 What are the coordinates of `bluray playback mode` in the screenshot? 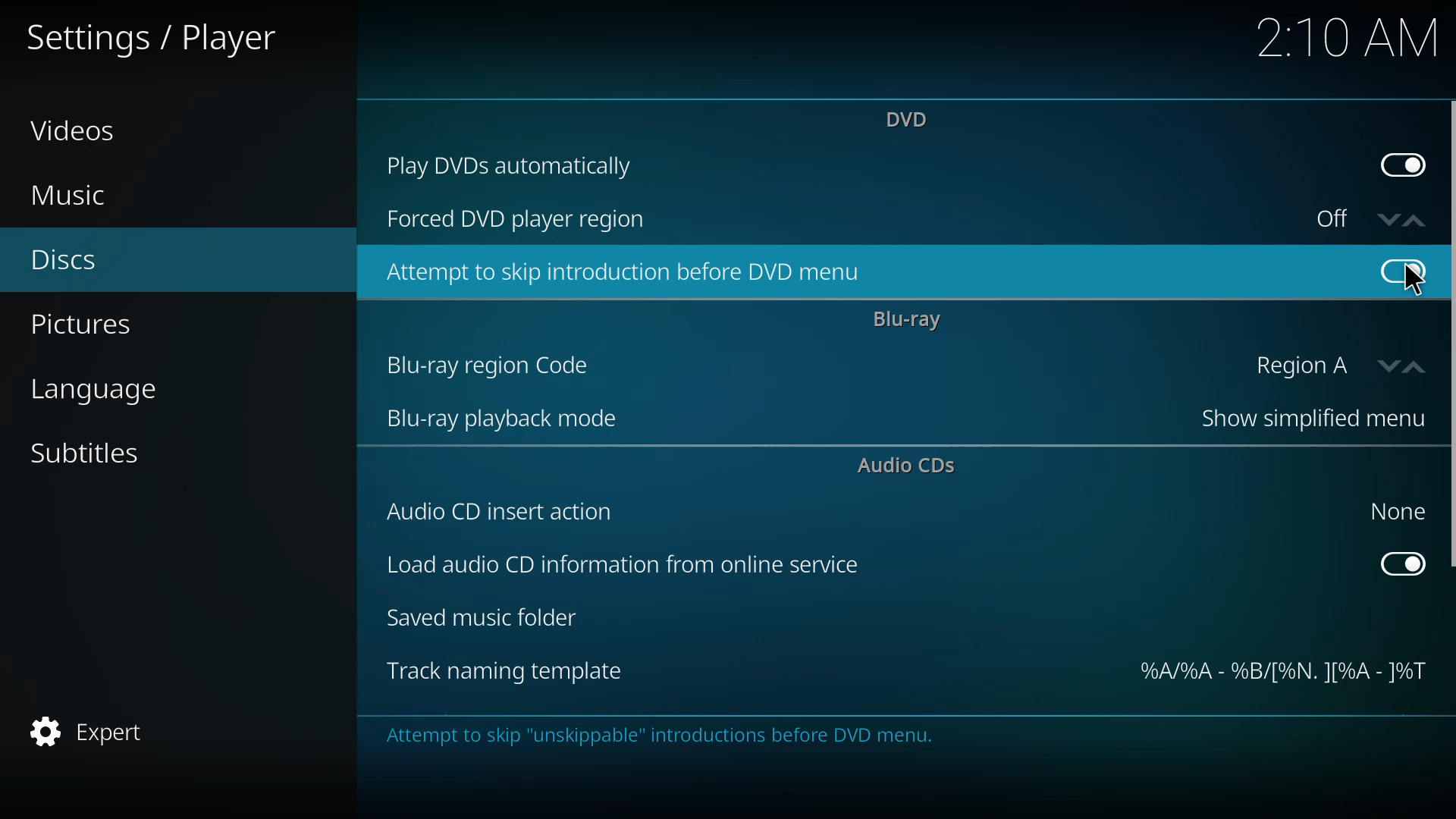 It's located at (512, 416).